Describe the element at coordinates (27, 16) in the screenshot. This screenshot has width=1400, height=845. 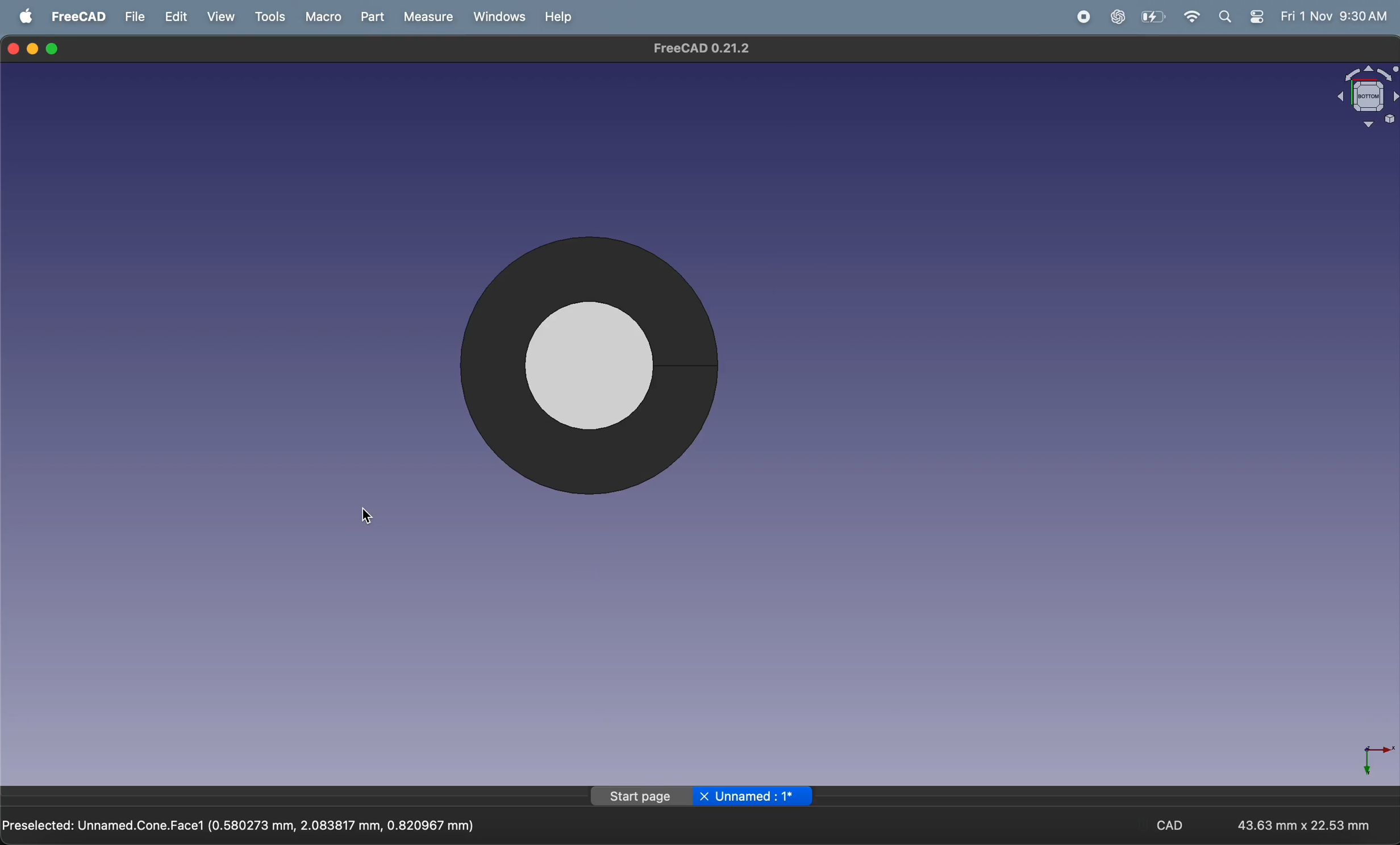
I see `apple menu` at that location.